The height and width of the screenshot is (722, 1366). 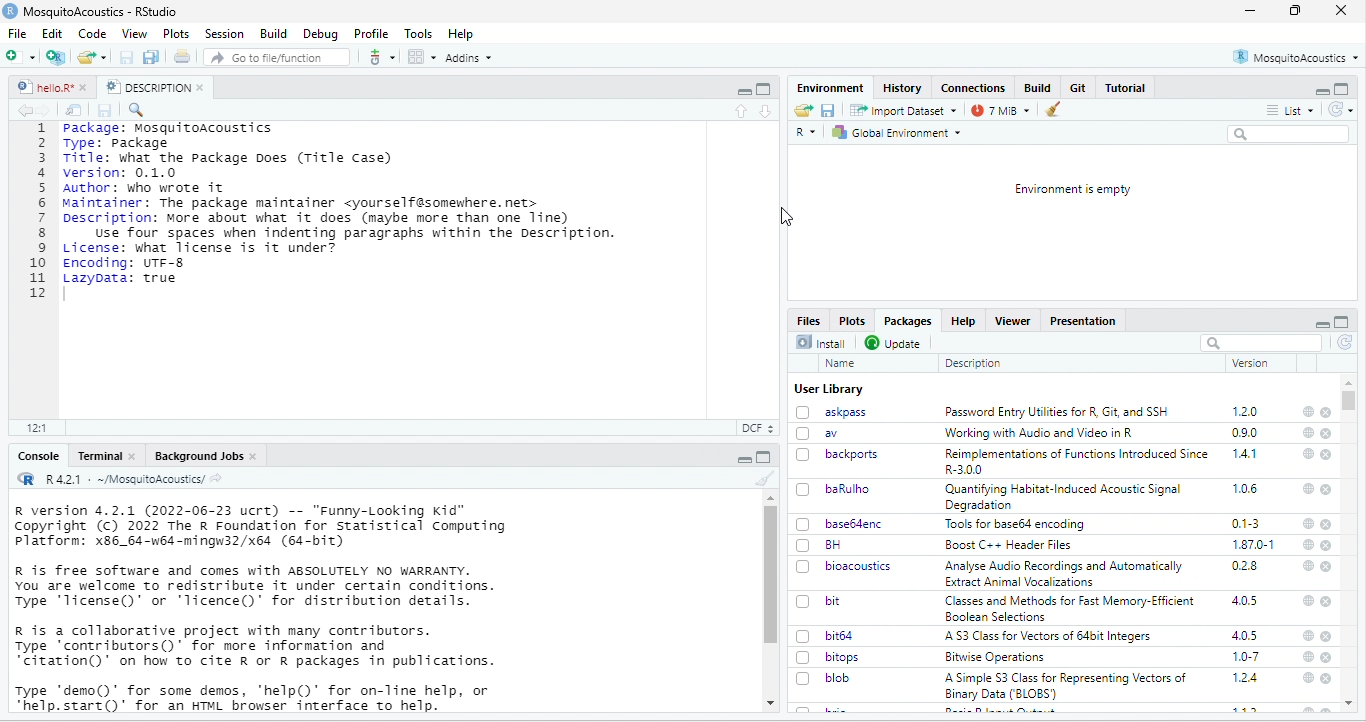 I want to click on backports, so click(x=840, y=454).